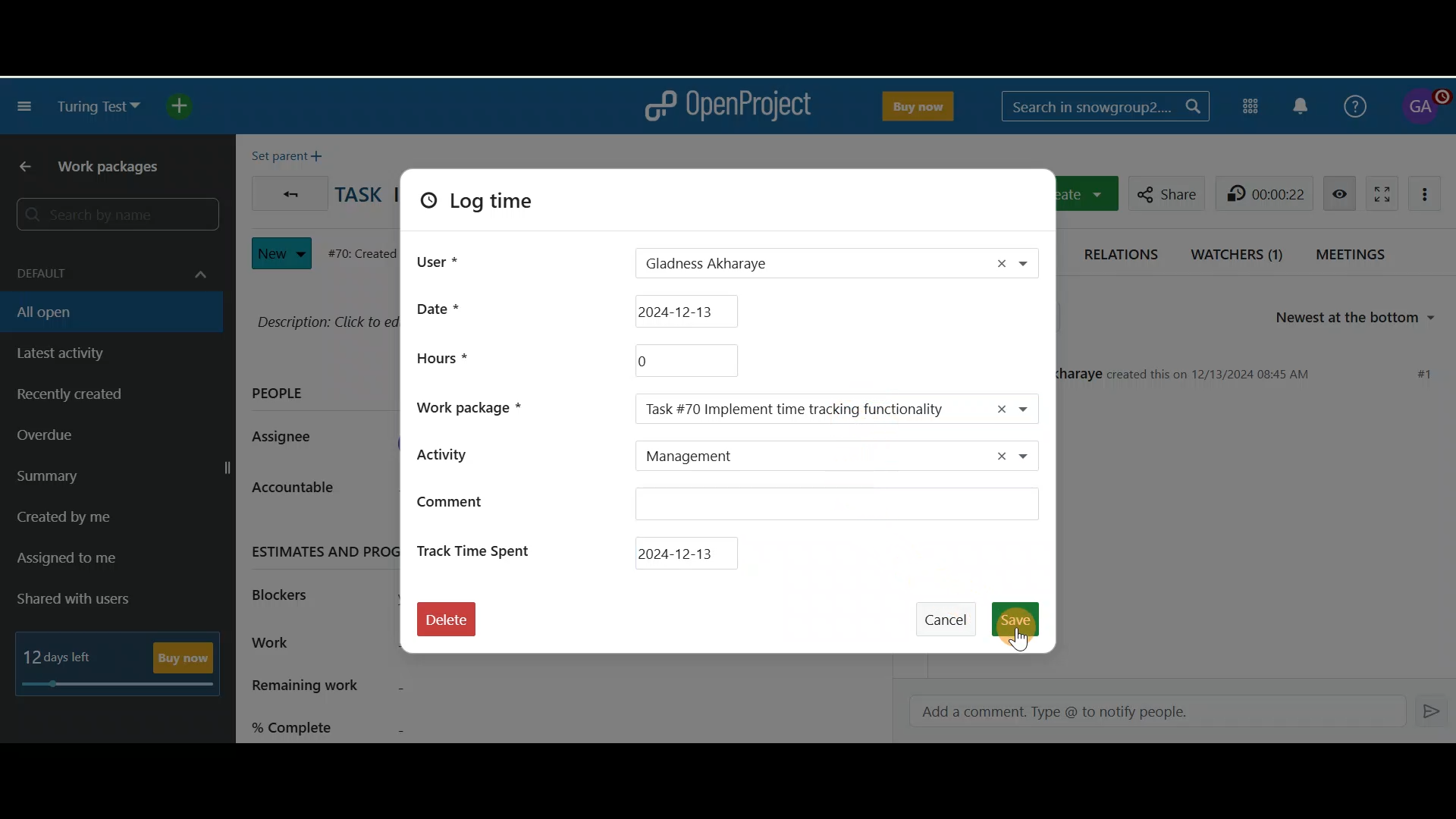  I want to click on Shared with users, so click(86, 600).